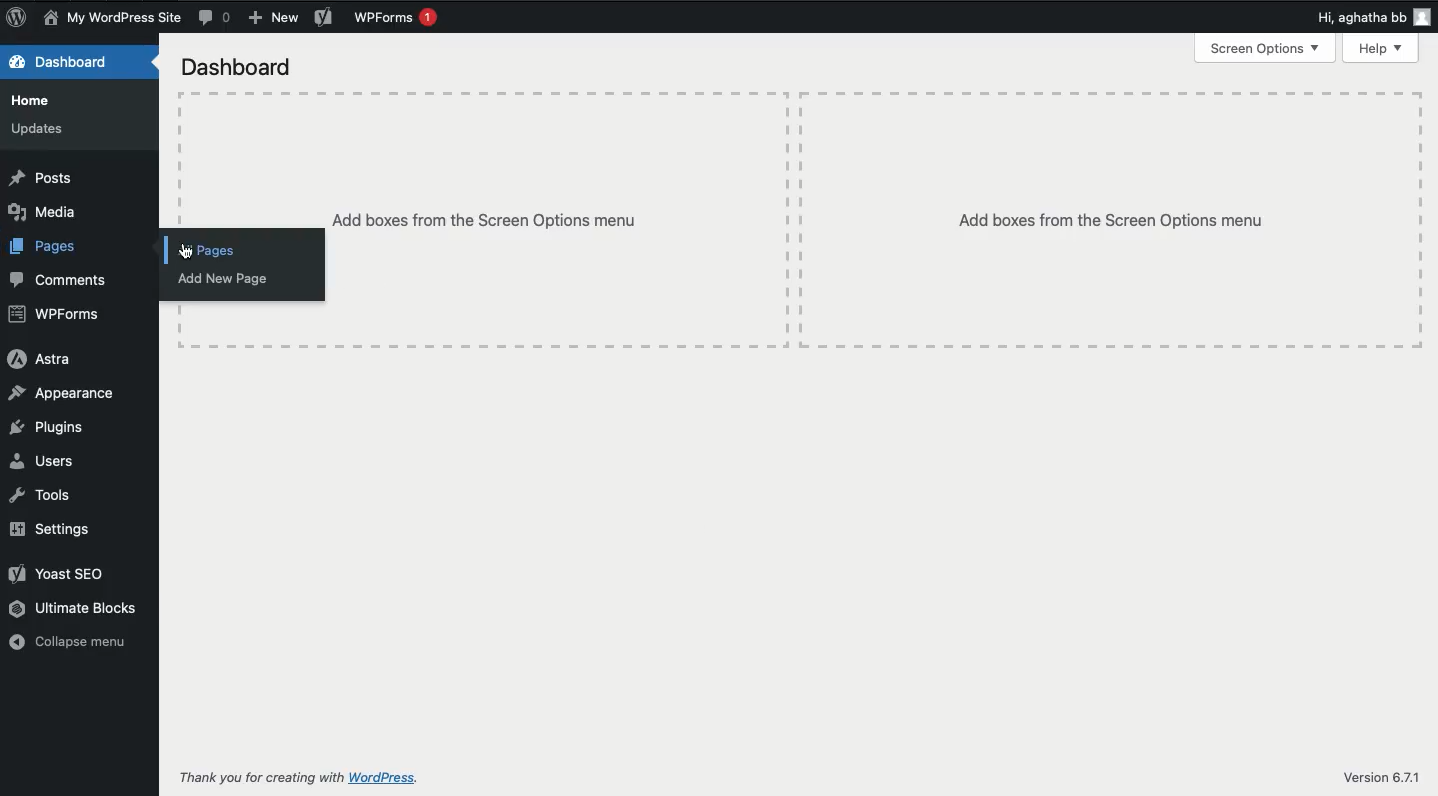  Describe the element at coordinates (45, 213) in the screenshot. I see `Media` at that location.